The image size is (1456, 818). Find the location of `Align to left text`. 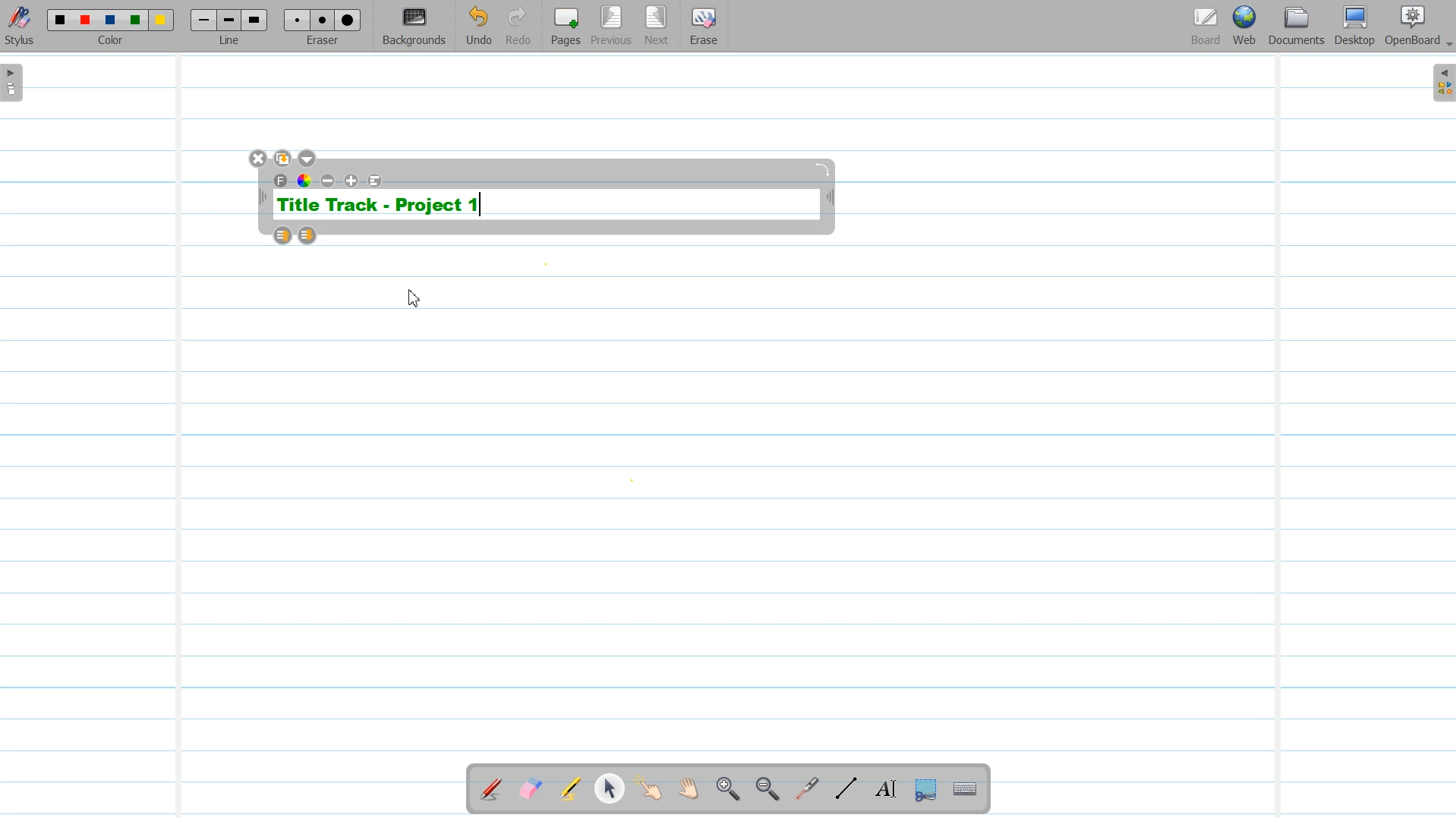

Align to left text is located at coordinates (376, 181).